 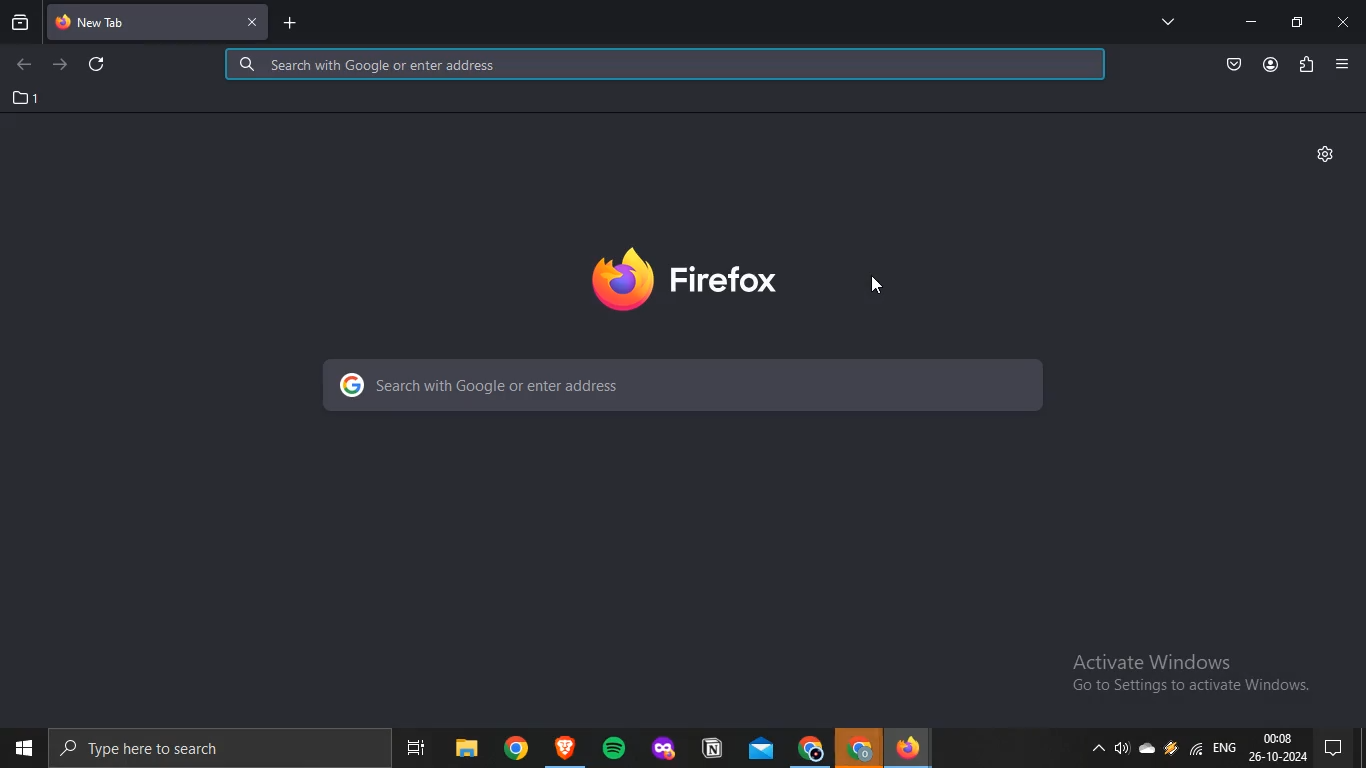 What do you see at coordinates (1235, 66) in the screenshot?
I see `save to pocket` at bounding box center [1235, 66].